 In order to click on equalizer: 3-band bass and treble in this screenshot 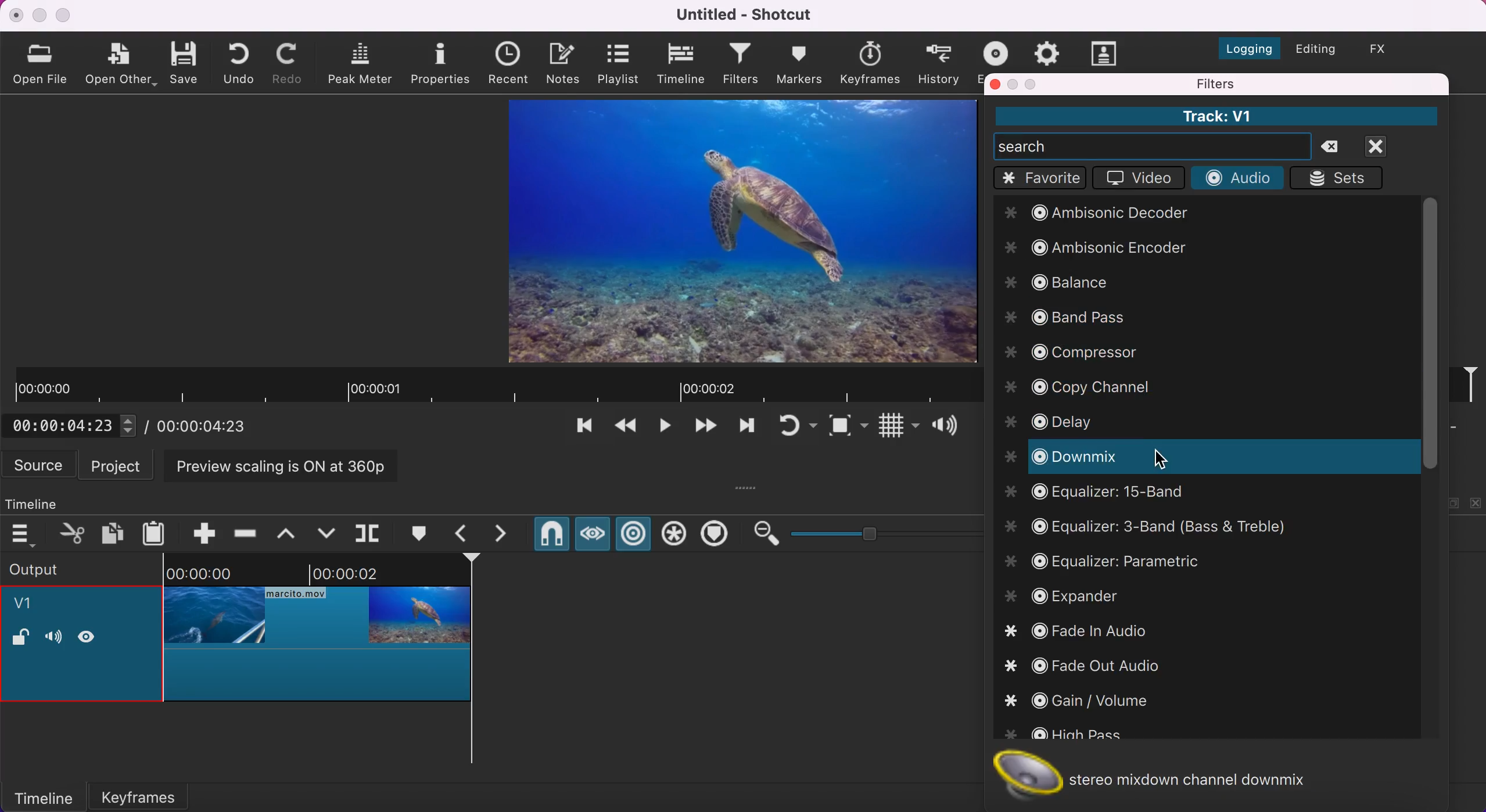, I will do `click(1153, 527)`.